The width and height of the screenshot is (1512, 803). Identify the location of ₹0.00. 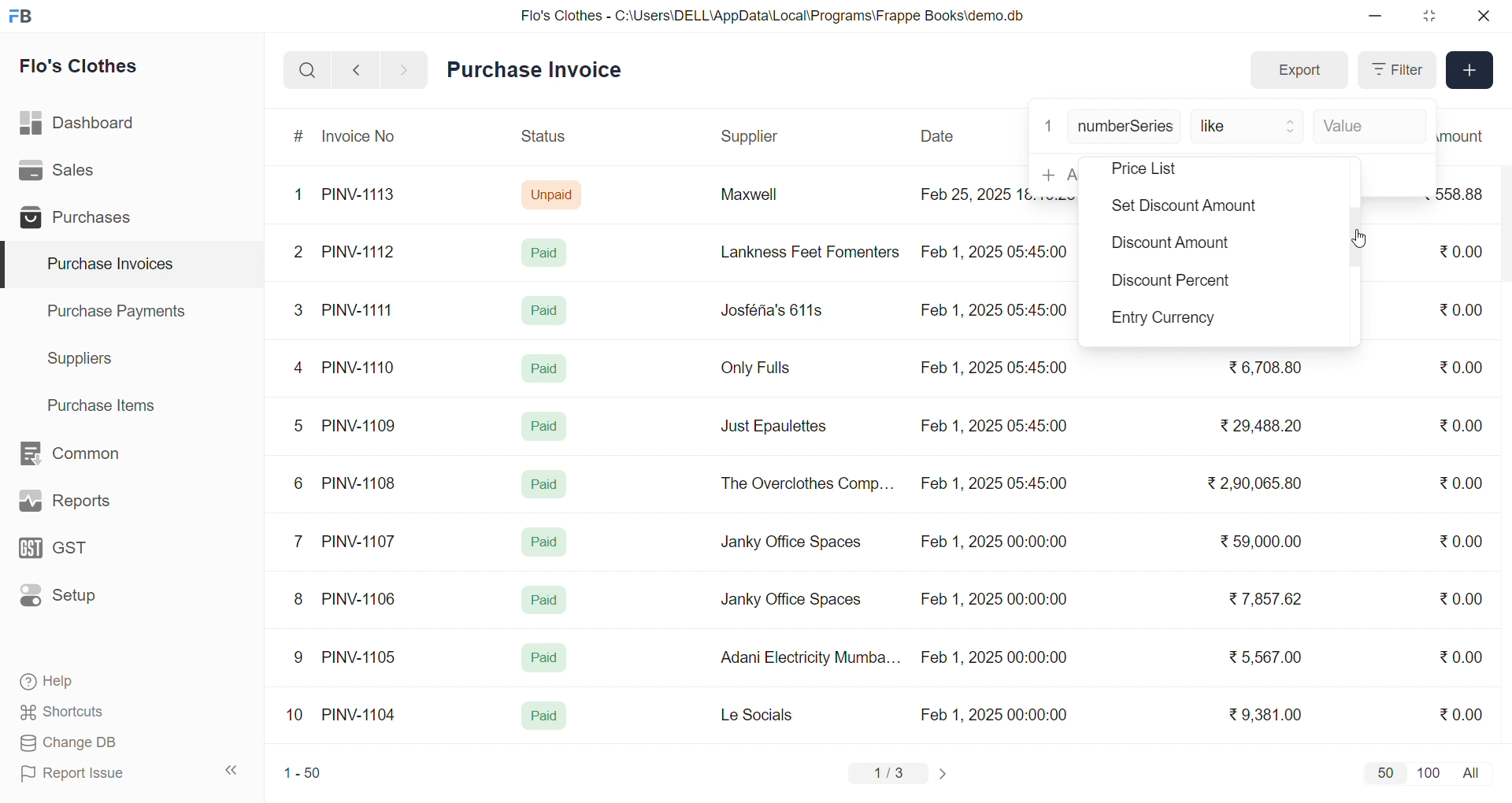
(1460, 485).